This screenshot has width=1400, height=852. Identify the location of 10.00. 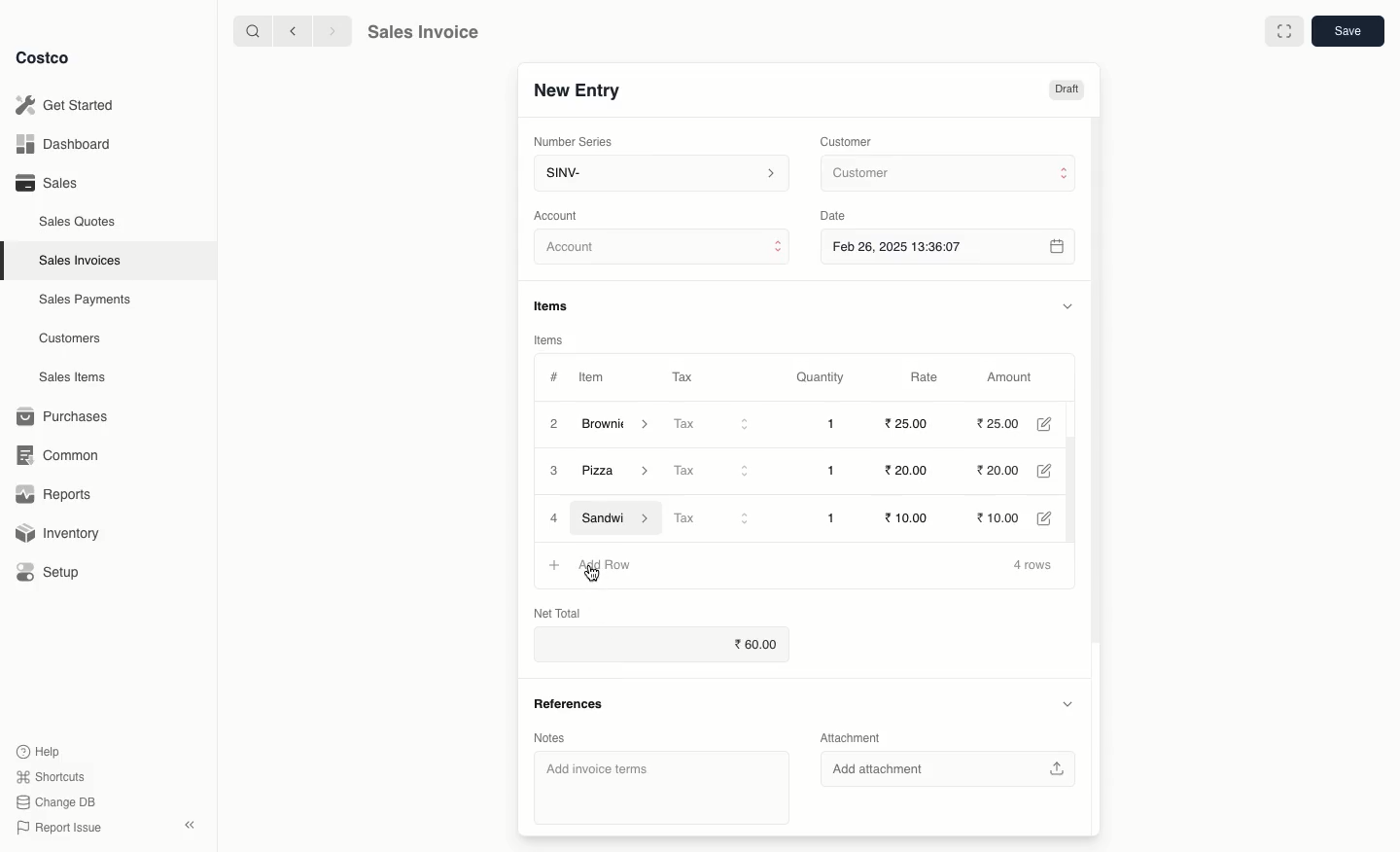
(1008, 515).